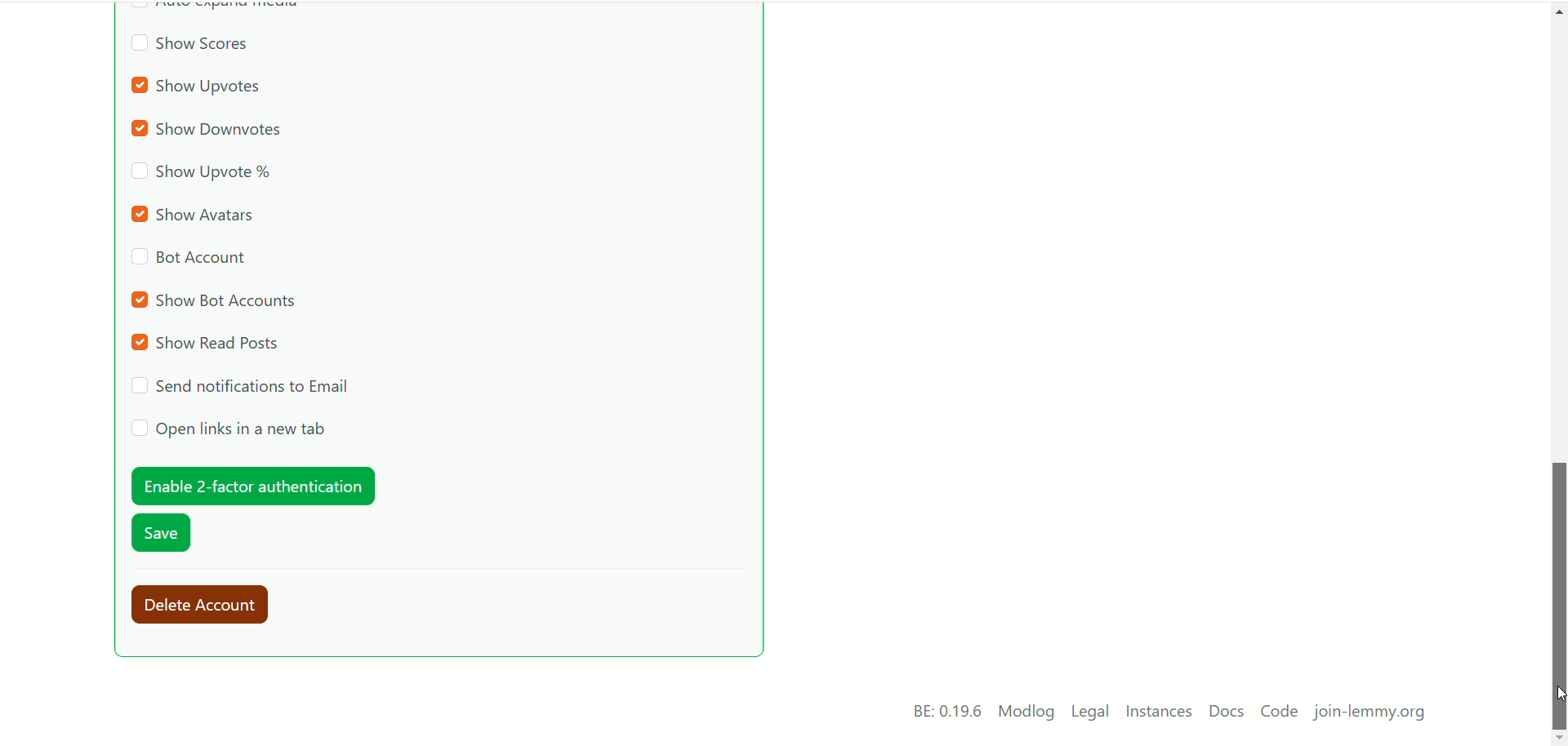 The image size is (1568, 746). I want to click on send notifications to email, so click(244, 386).